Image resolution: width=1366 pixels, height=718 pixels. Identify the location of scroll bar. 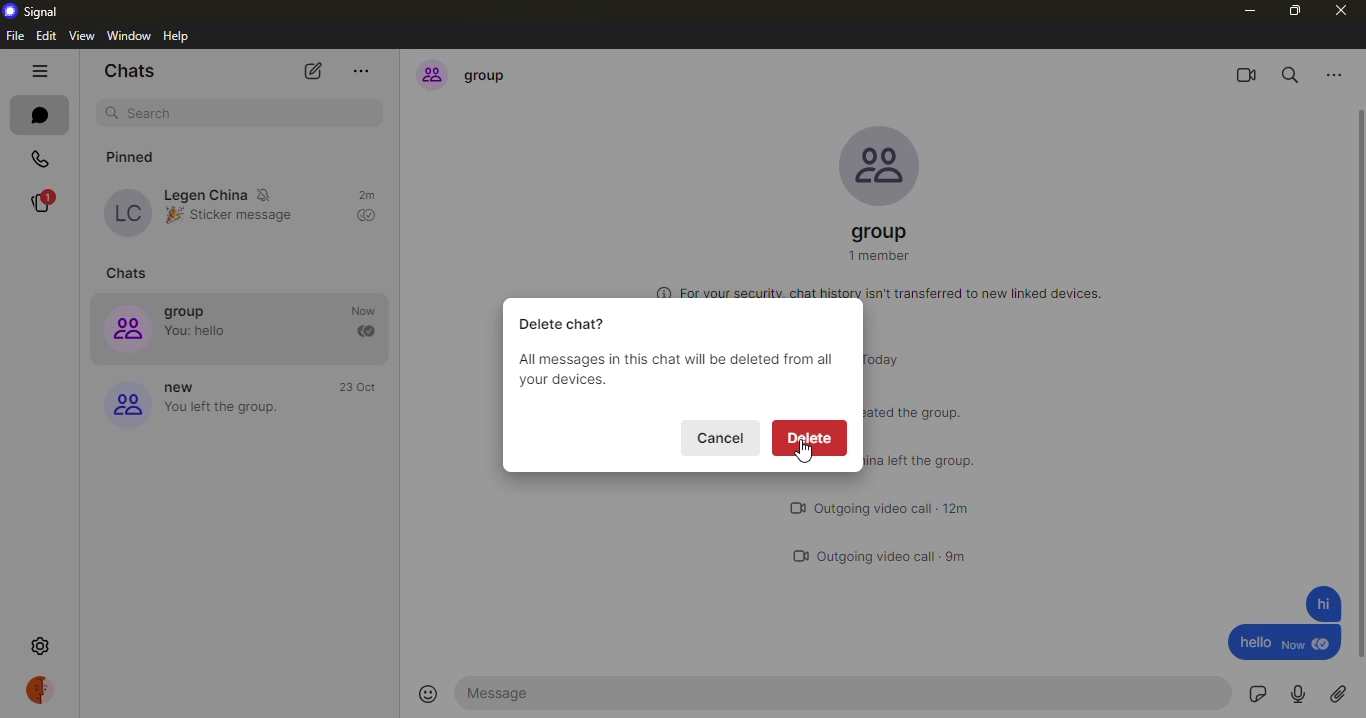
(1357, 383).